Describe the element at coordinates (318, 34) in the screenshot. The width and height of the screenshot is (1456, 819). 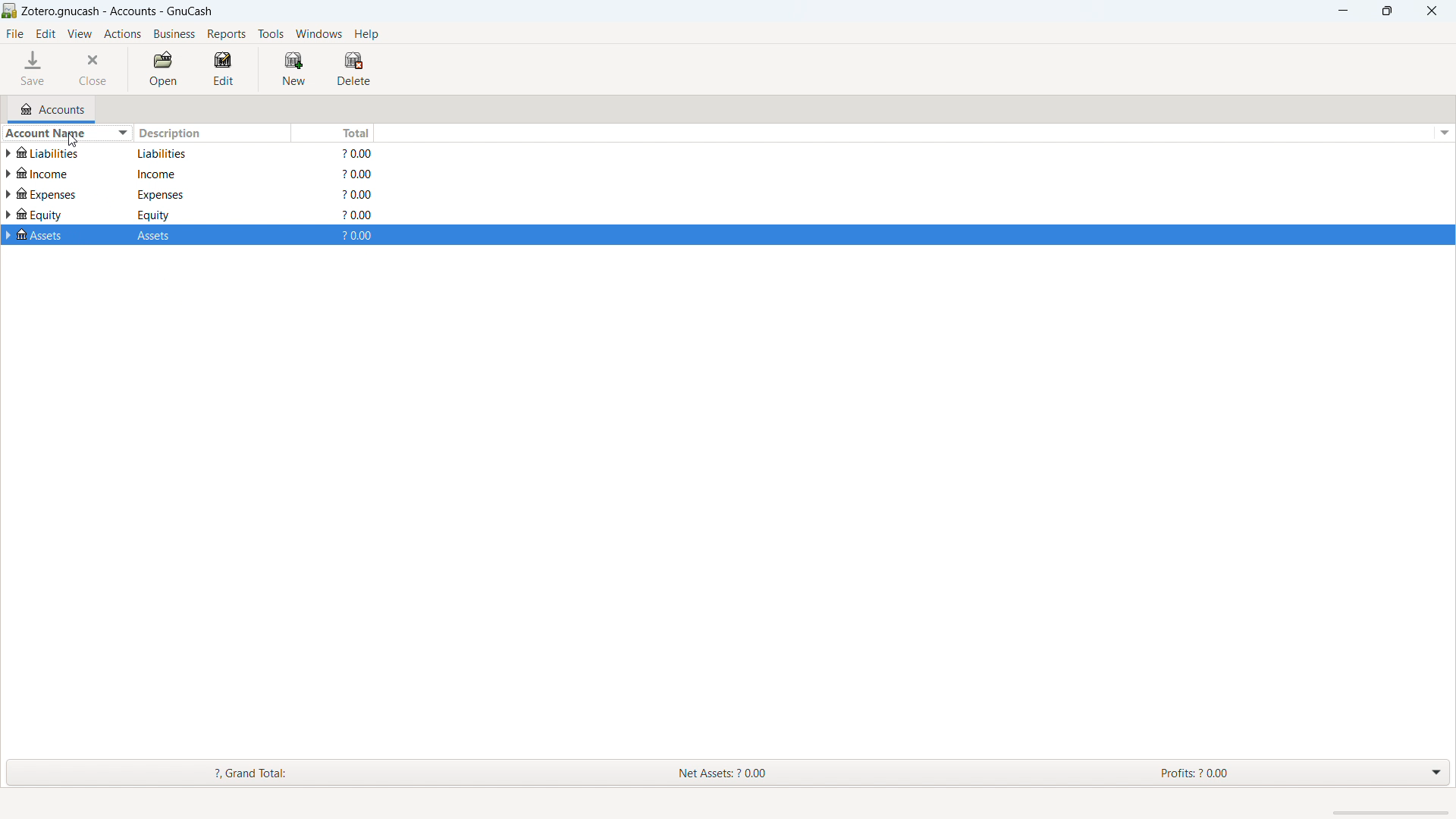
I see `windows` at that location.